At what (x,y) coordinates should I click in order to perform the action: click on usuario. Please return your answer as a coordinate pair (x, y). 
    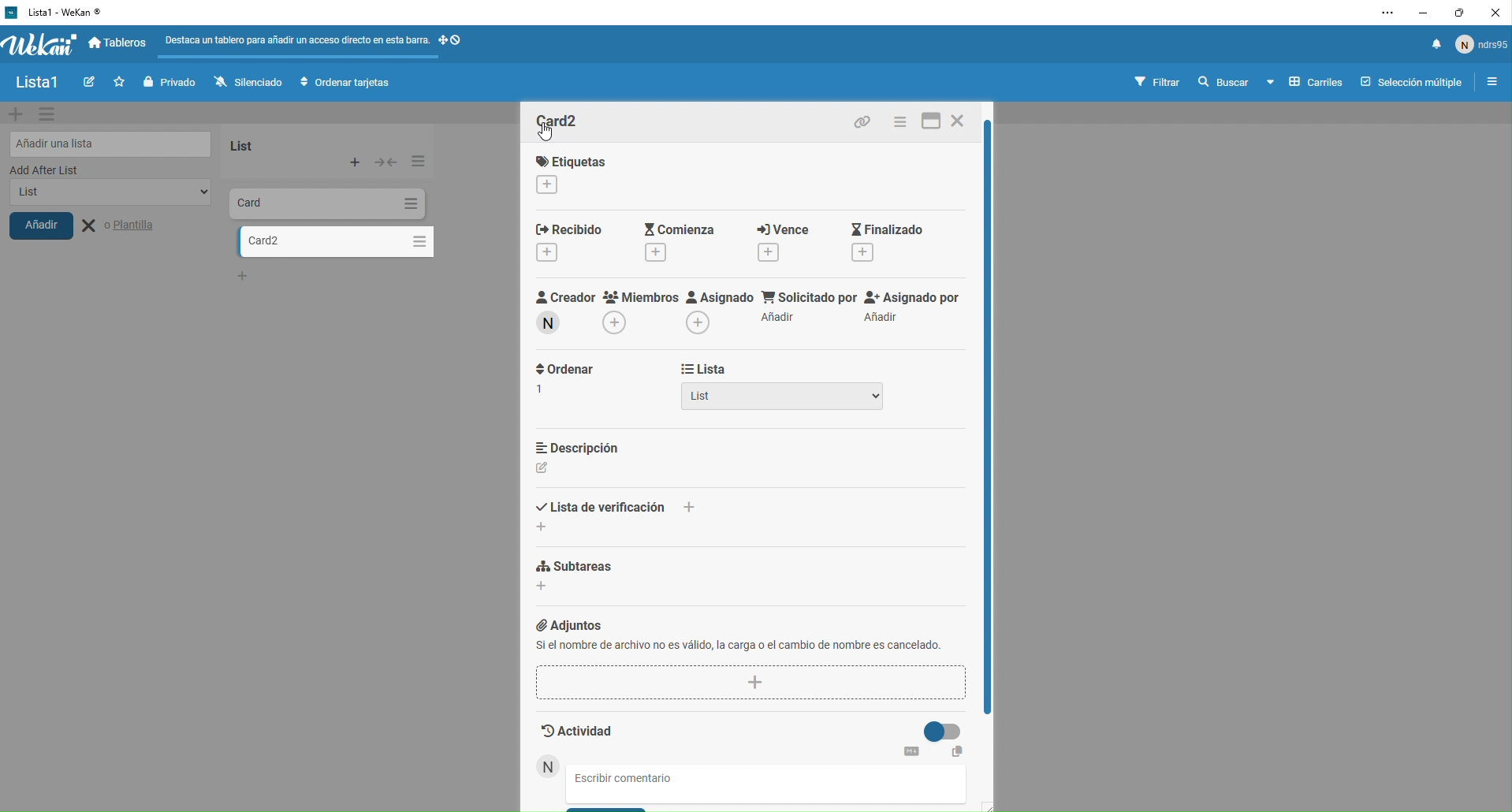
    Looking at the image, I should click on (1482, 48).